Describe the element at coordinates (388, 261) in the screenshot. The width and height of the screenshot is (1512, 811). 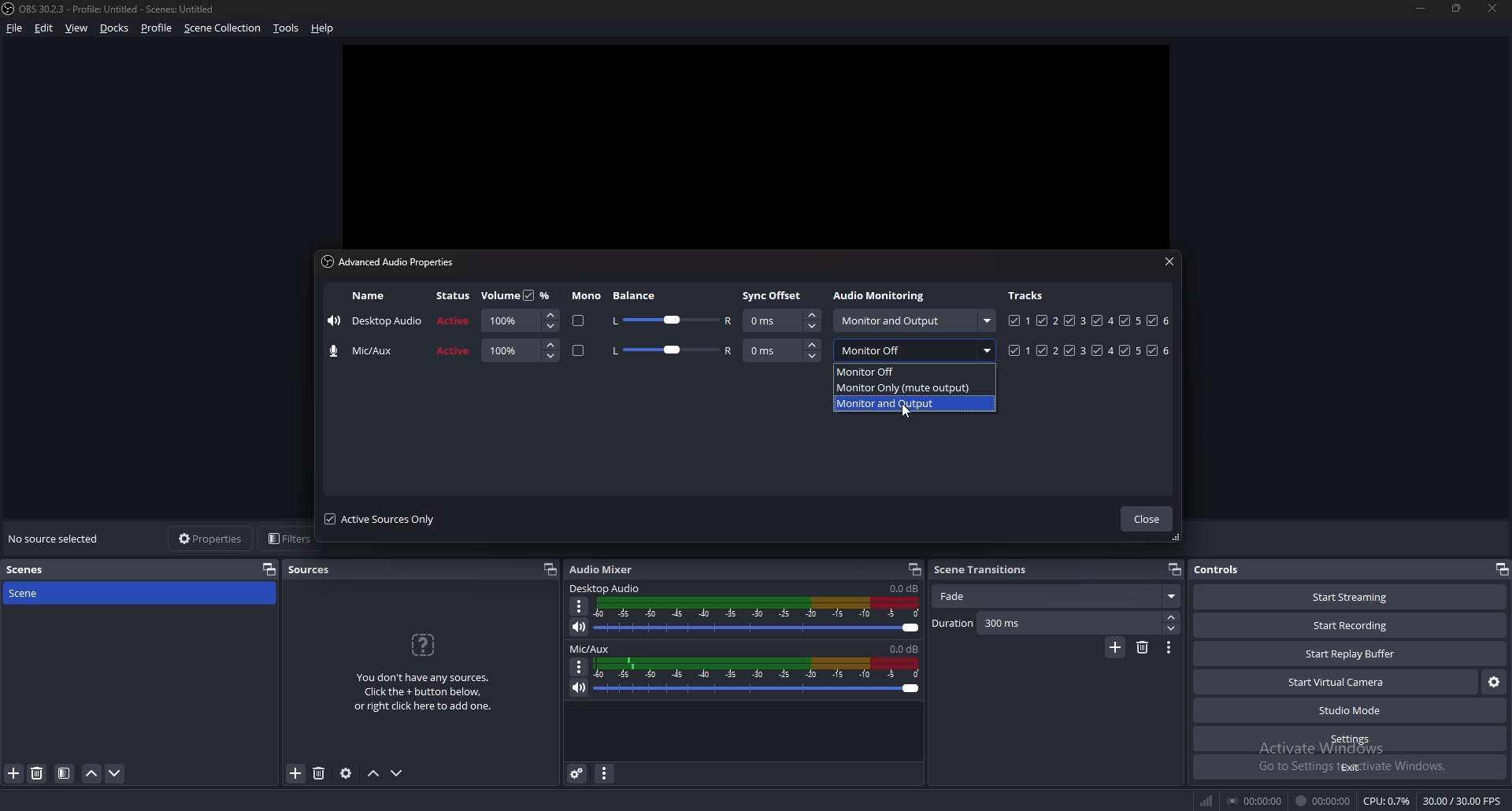
I see `advanced audio properties` at that location.